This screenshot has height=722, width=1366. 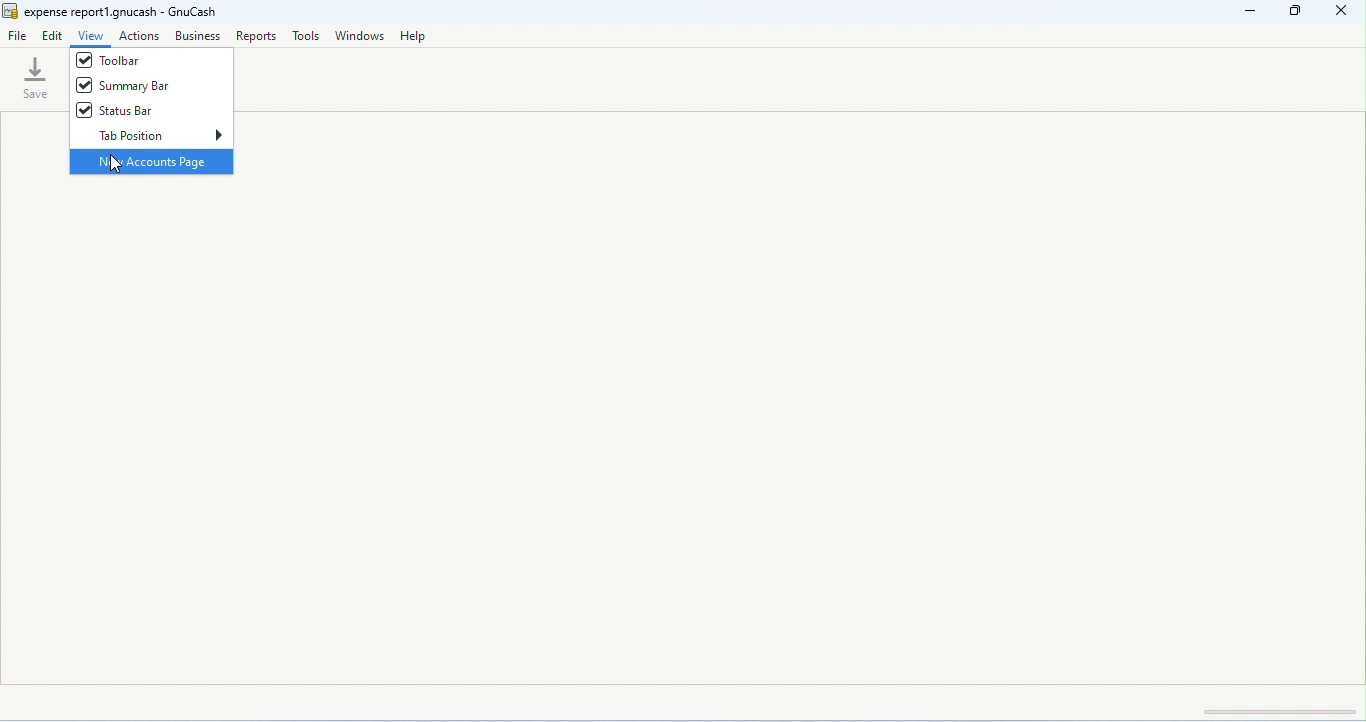 What do you see at coordinates (1340, 11) in the screenshot?
I see `close` at bounding box center [1340, 11].